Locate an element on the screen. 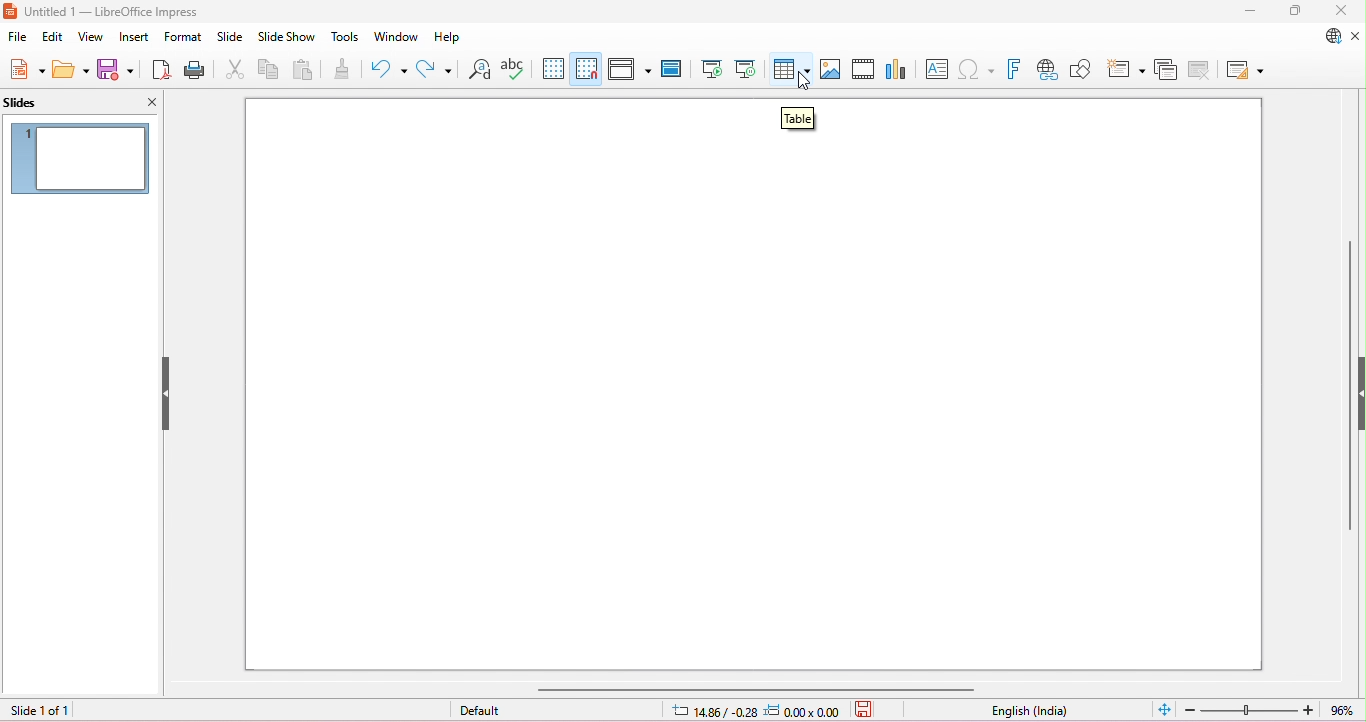 The image size is (1366, 722). redo is located at coordinates (434, 69).